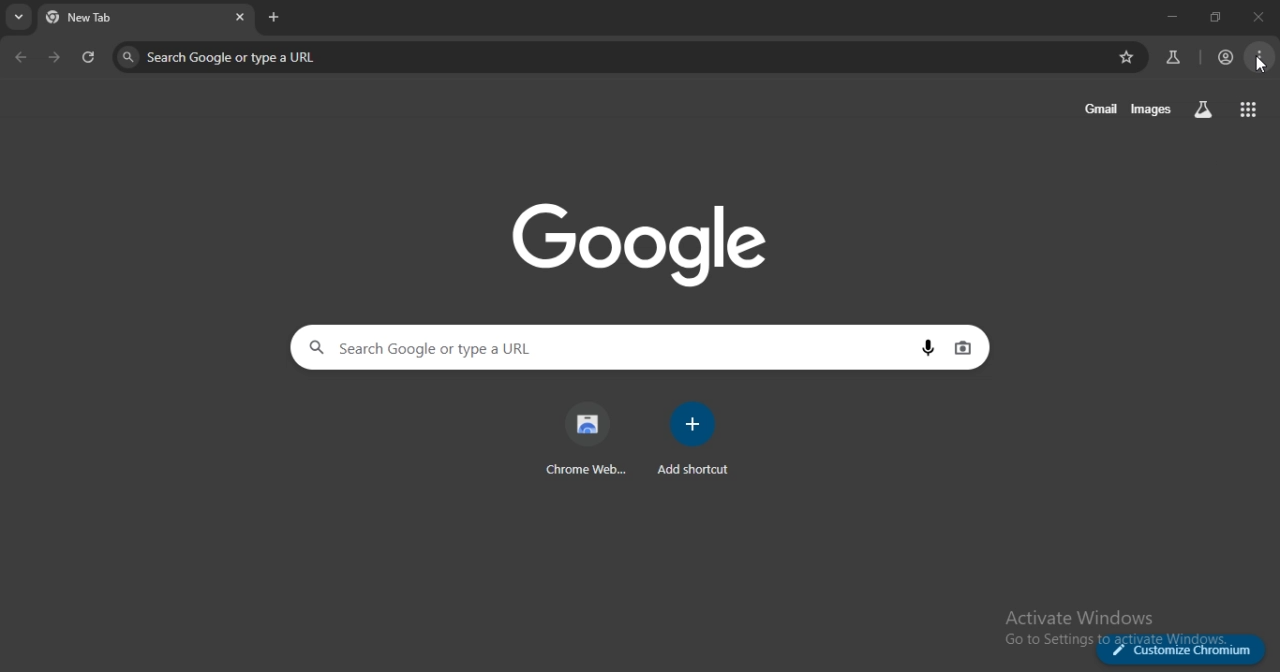 The height and width of the screenshot is (672, 1280). What do you see at coordinates (698, 437) in the screenshot?
I see `add shortcut` at bounding box center [698, 437].